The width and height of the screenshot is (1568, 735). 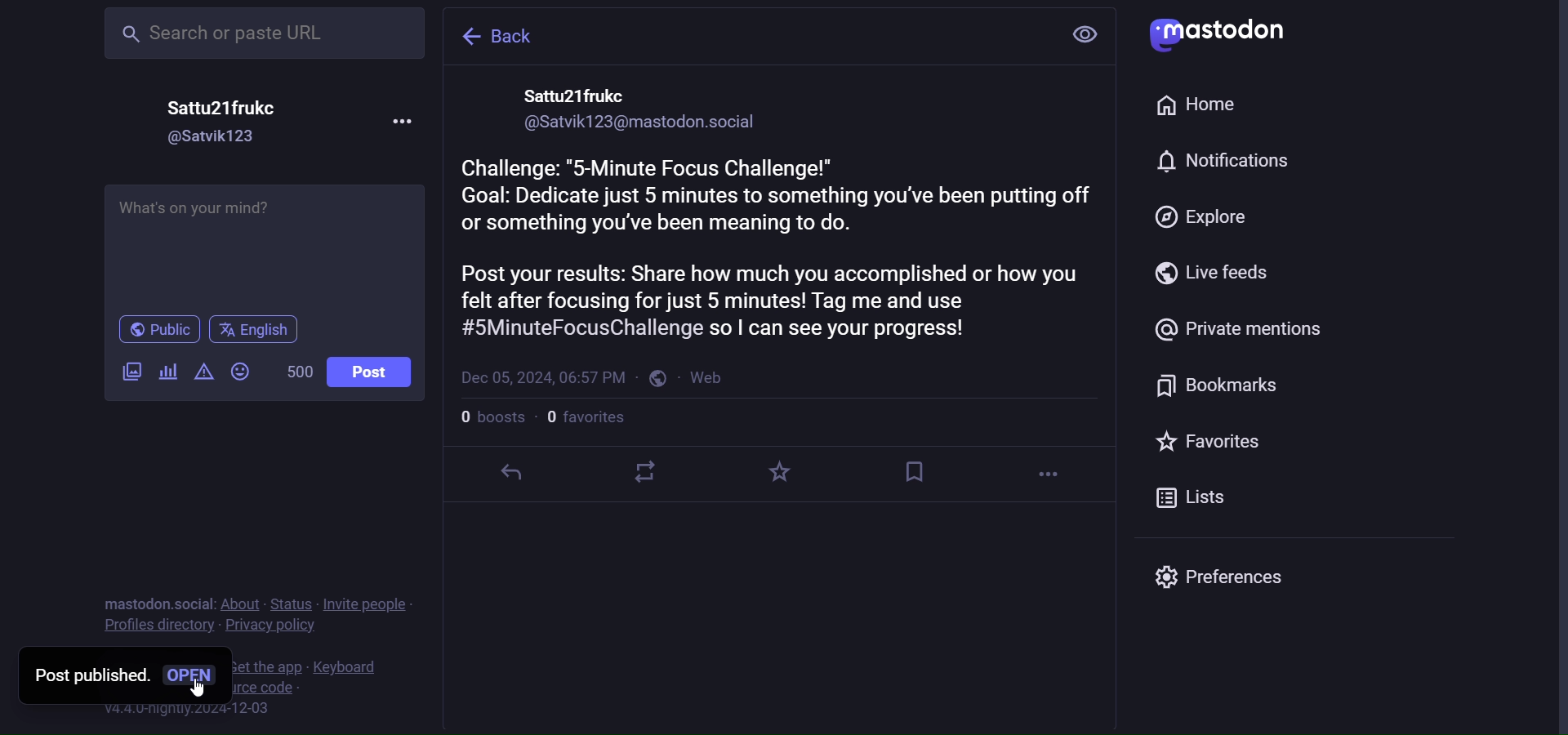 I want to click on live feed, so click(x=1206, y=275).